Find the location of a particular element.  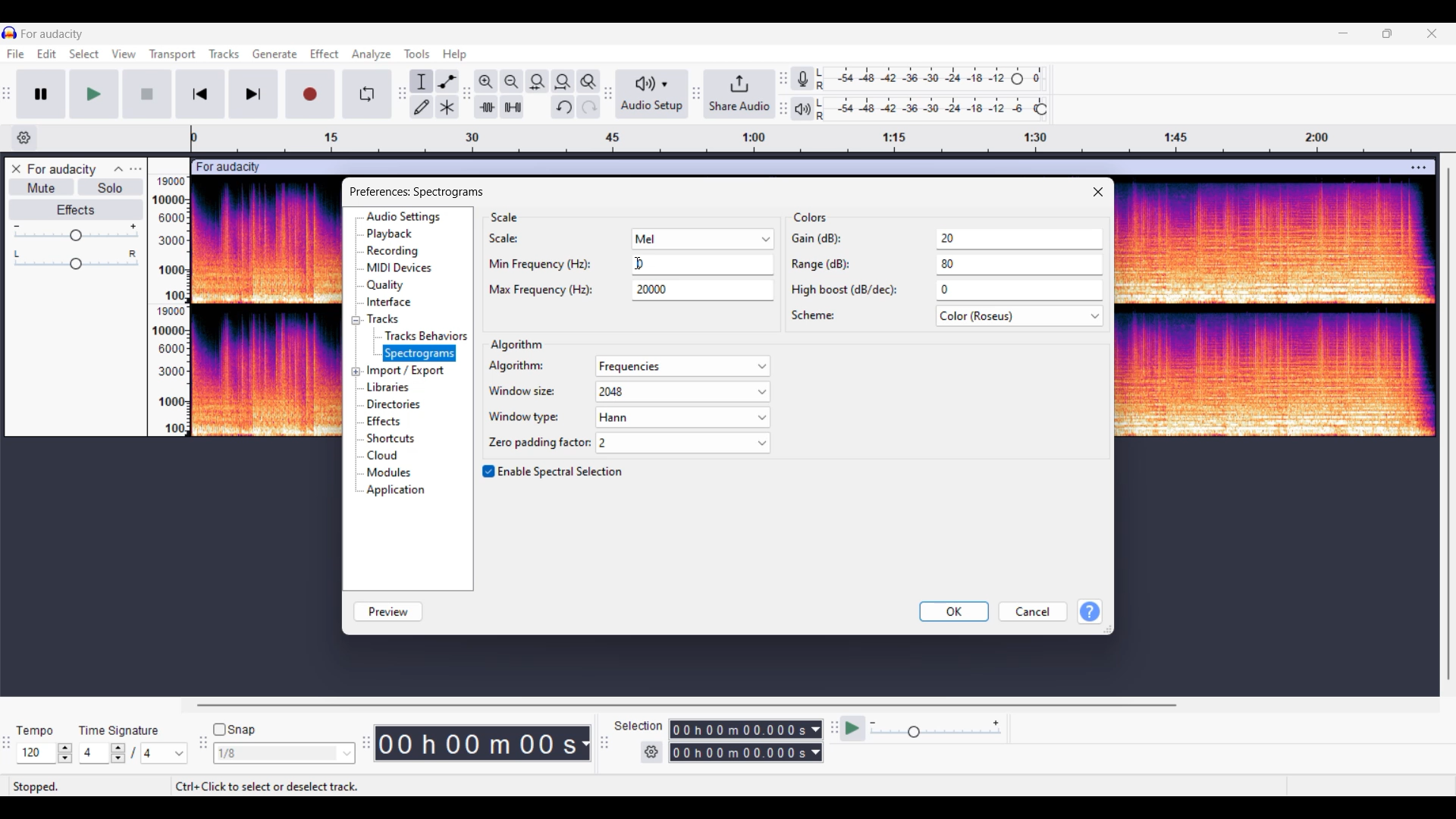

algorithm is located at coordinates (628, 367).